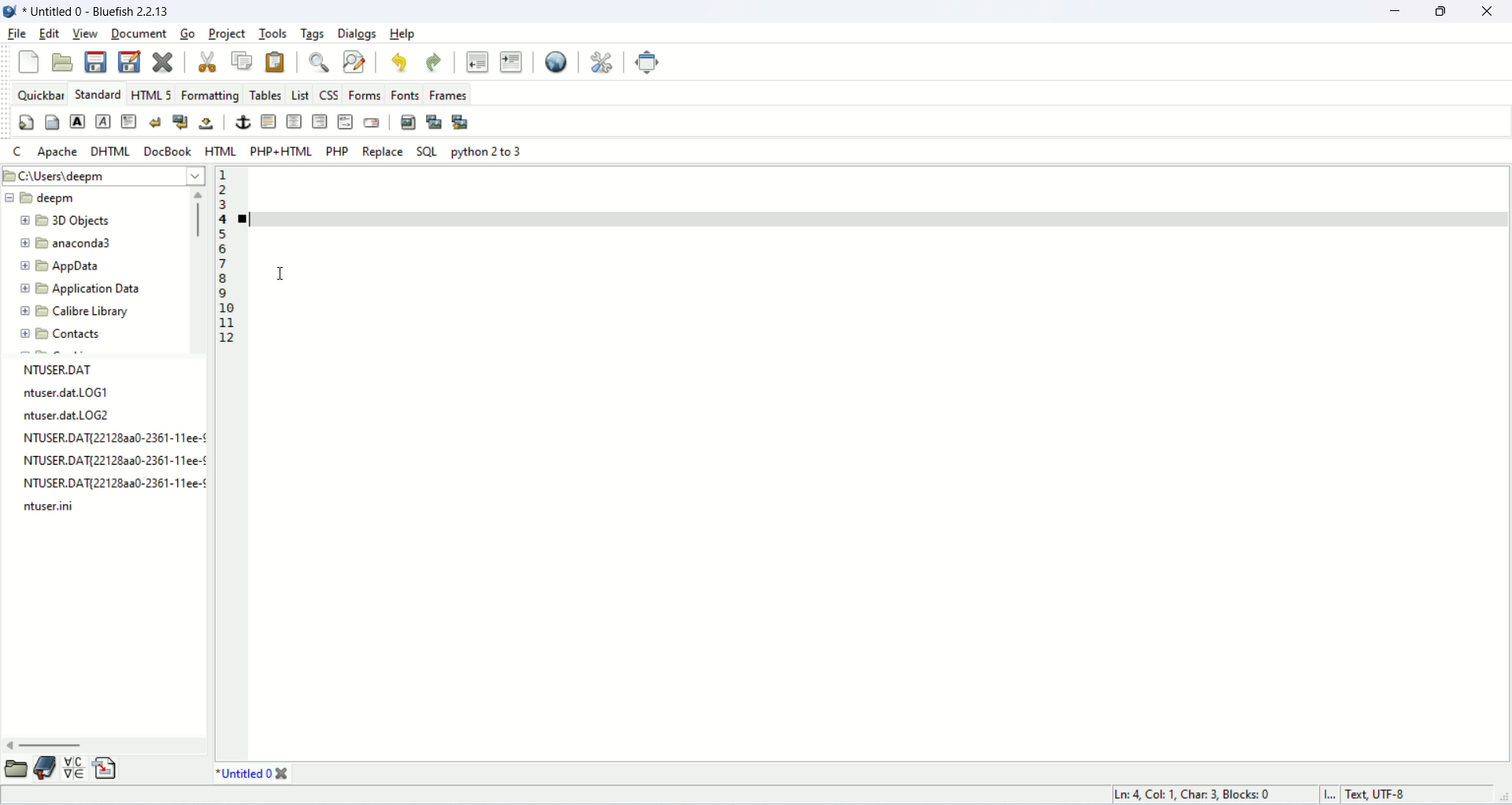 This screenshot has width=1512, height=805. What do you see at coordinates (434, 61) in the screenshot?
I see `redo` at bounding box center [434, 61].